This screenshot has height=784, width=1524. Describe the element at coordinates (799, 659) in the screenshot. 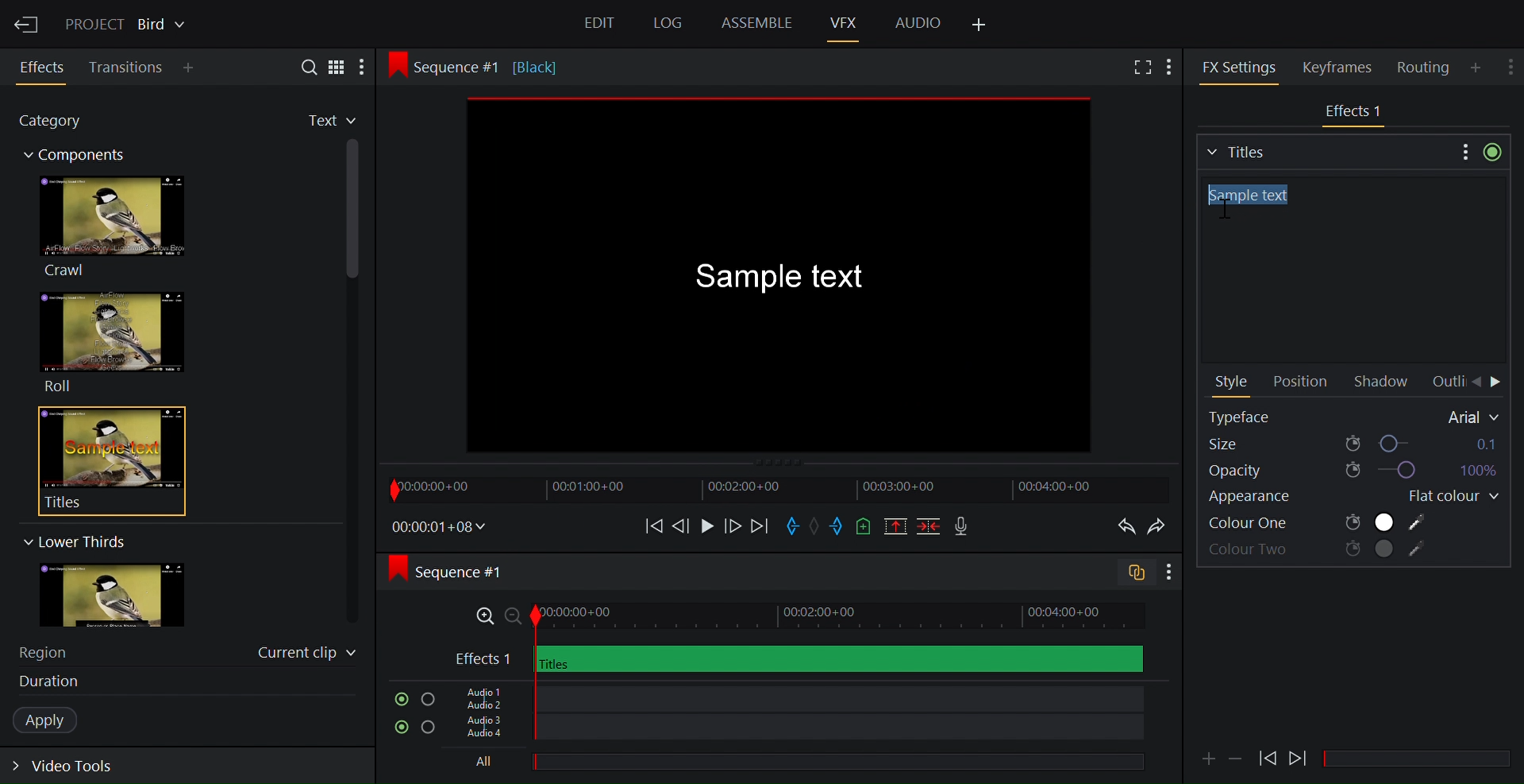

I see `Video Track Effects` at that location.